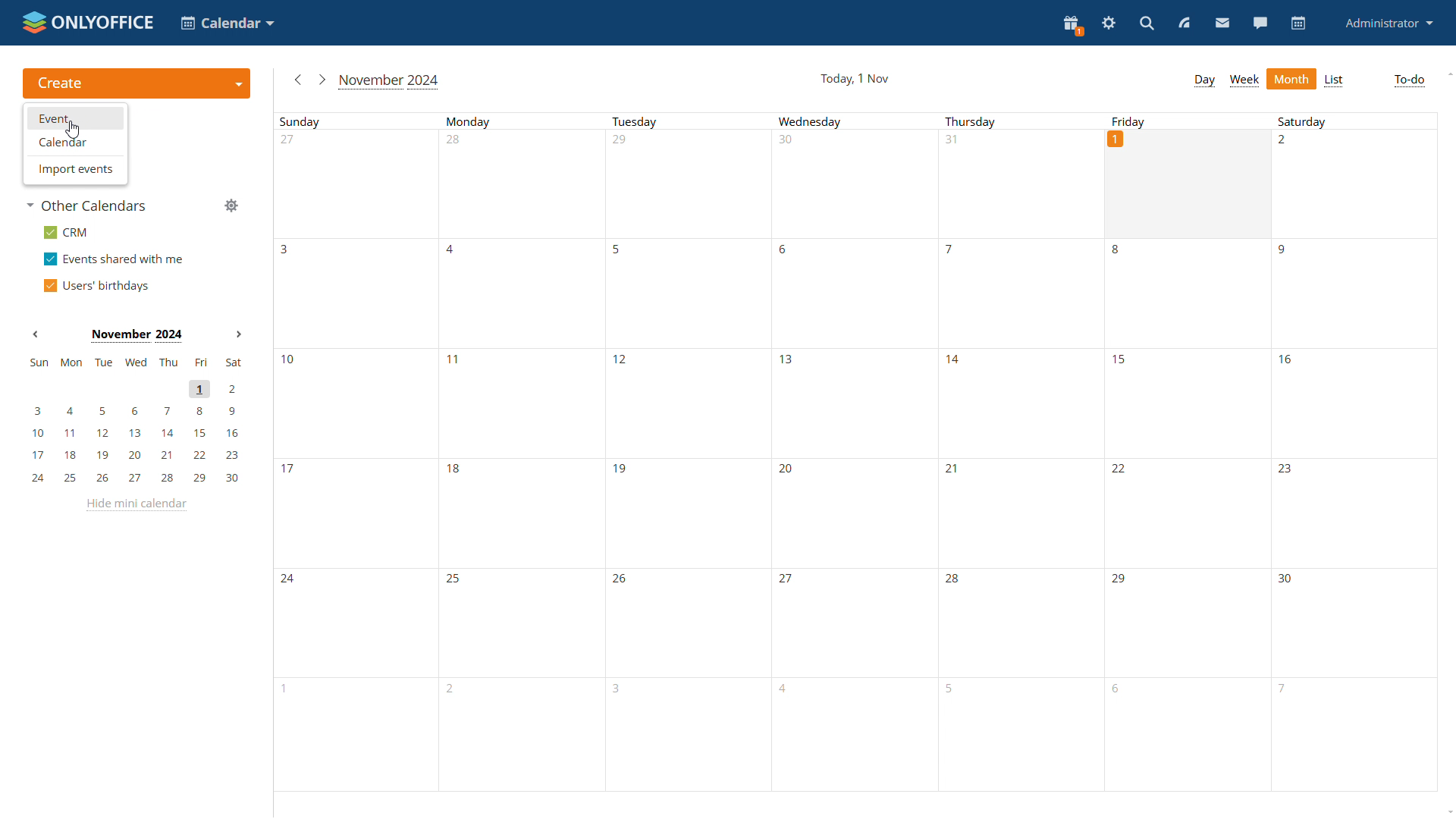  I want to click on Sunday , so click(356, 451).